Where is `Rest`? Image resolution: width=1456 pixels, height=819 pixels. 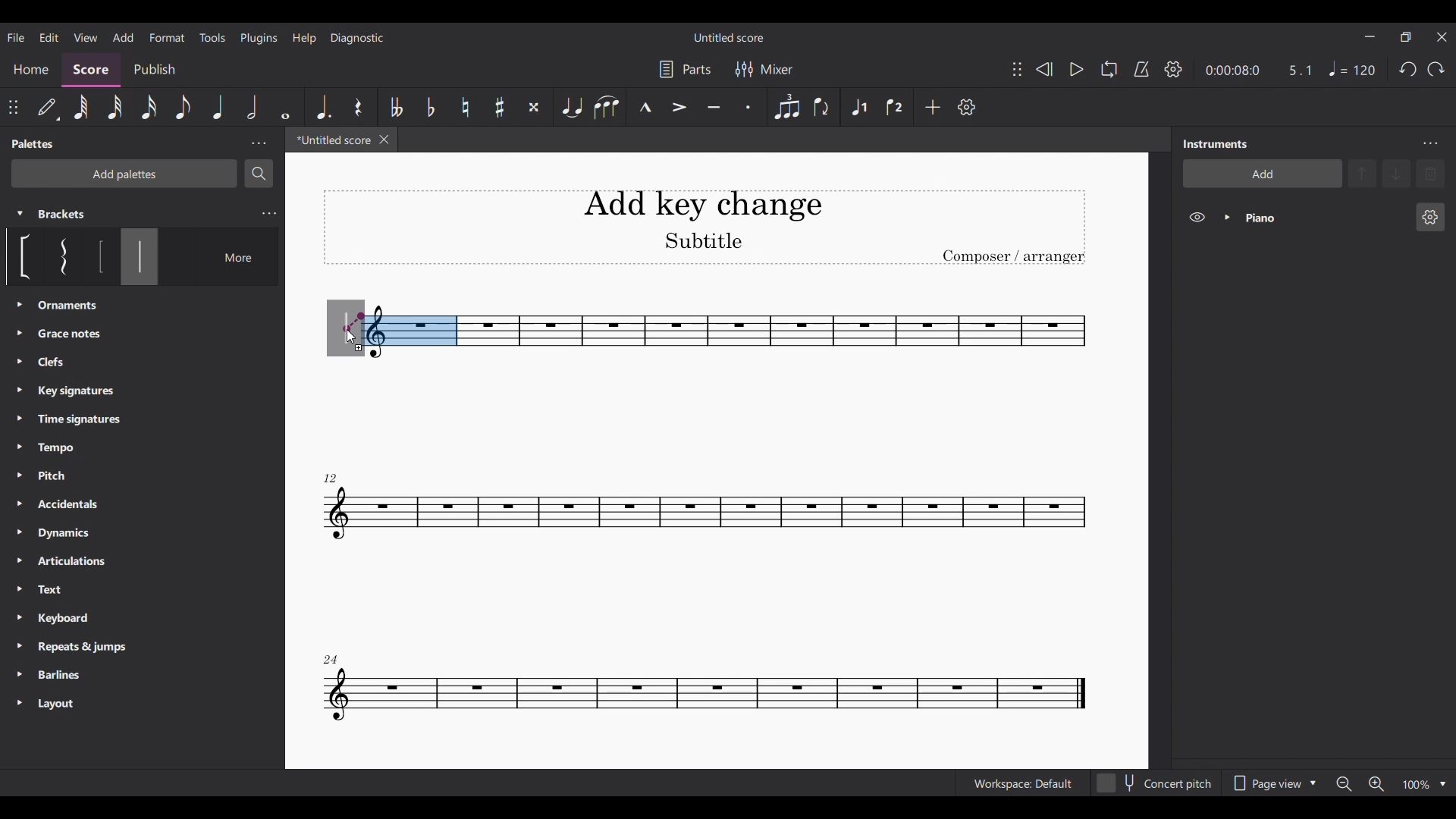 Rest is located at coordinates (358, 108).